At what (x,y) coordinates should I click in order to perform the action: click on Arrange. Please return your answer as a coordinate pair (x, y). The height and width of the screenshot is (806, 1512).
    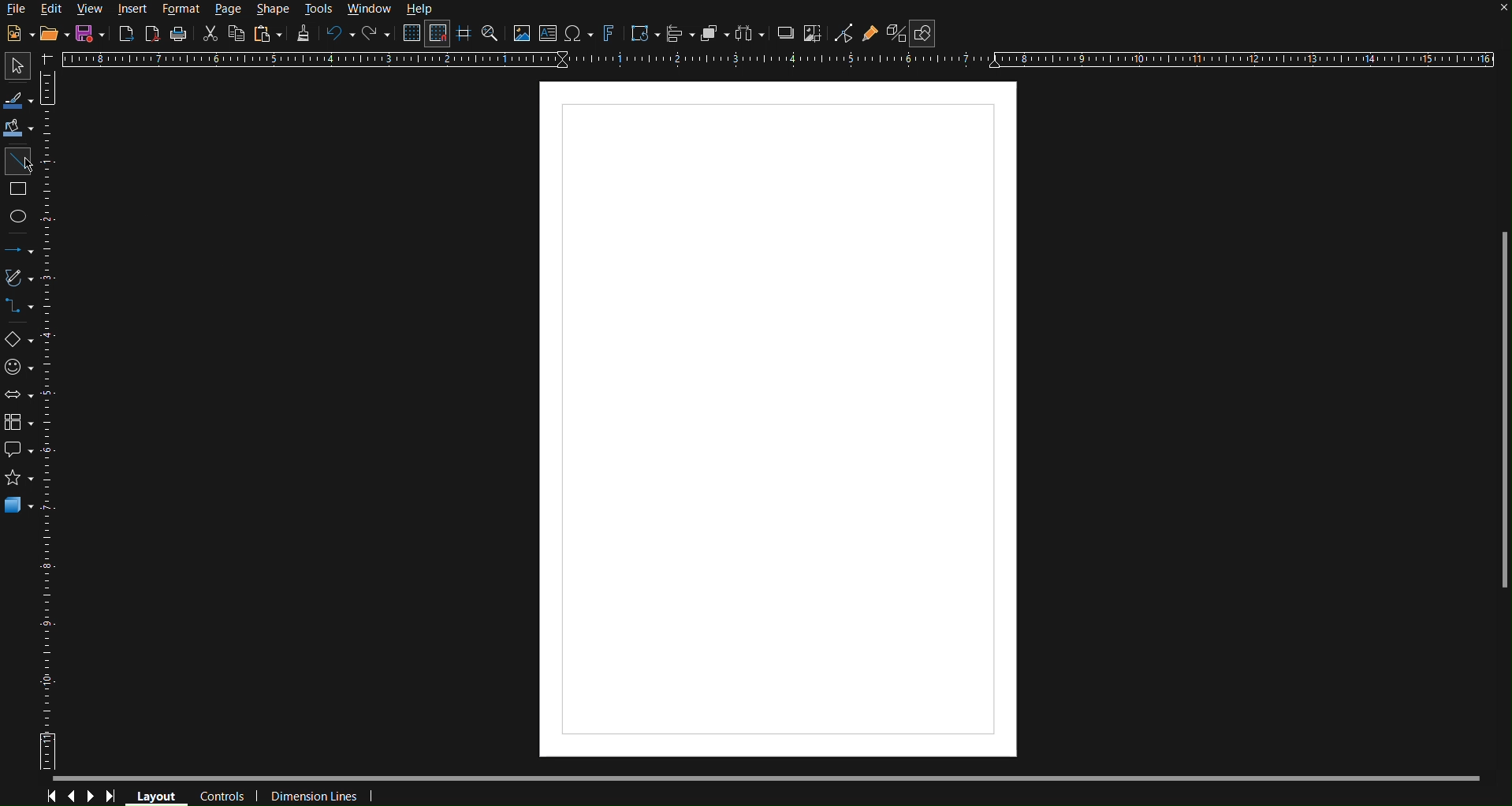
    Looking at the image, I should click on (717, 33).